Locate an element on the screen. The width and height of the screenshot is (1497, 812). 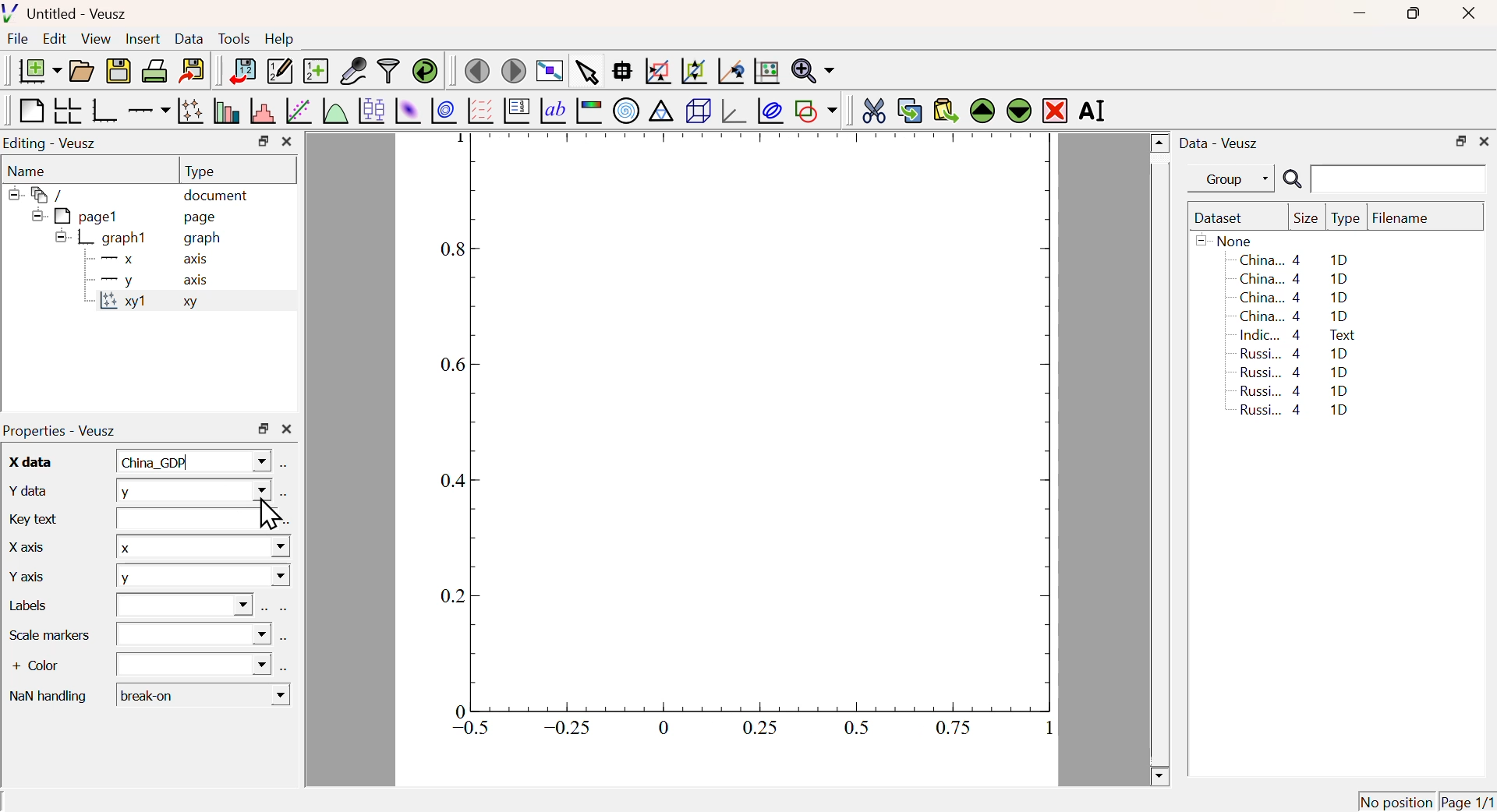
Histogram of a dataset is located at coordinates (263, 111).